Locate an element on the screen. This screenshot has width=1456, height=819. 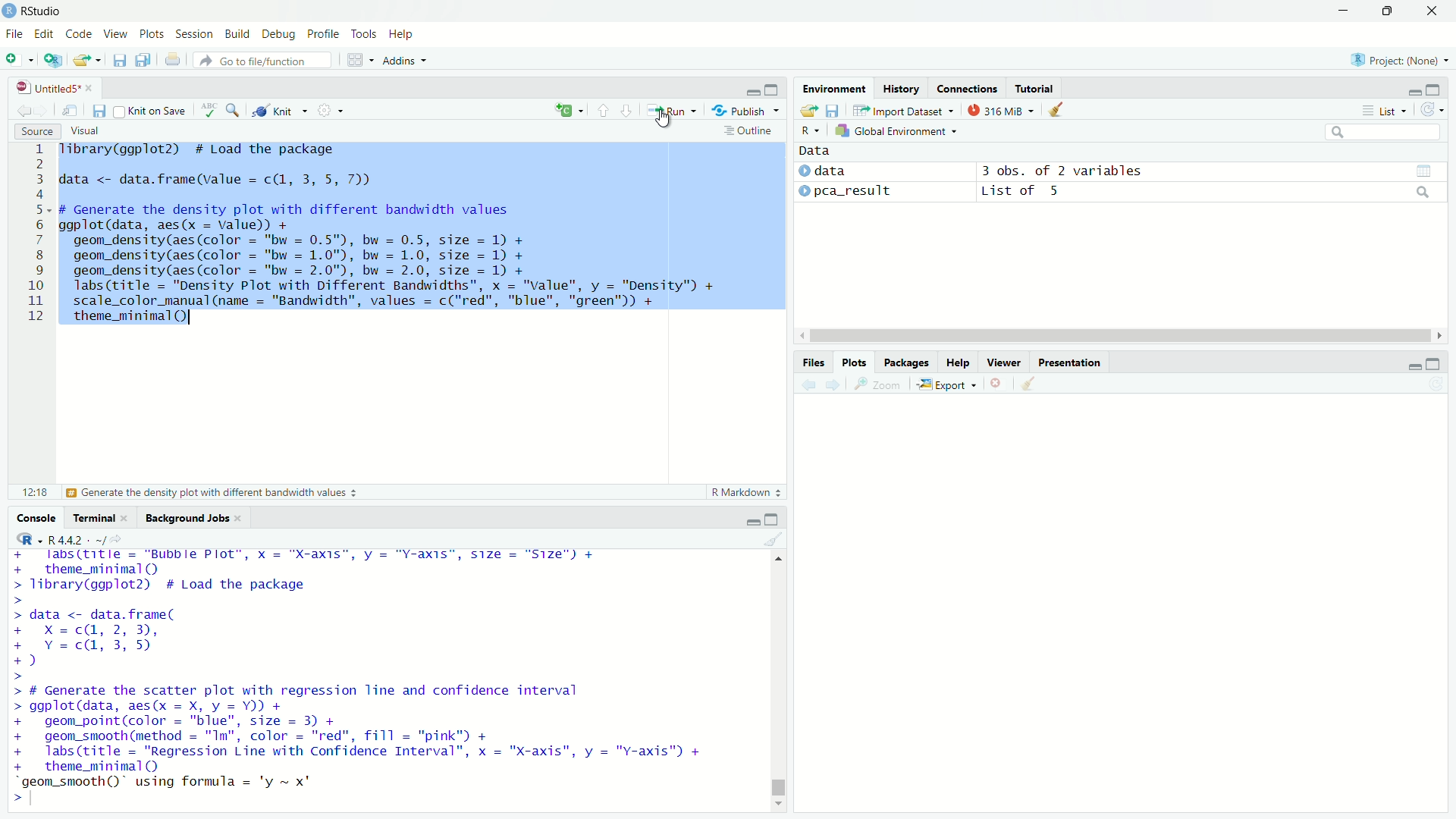
Addins is located at coordinates (405, 61).